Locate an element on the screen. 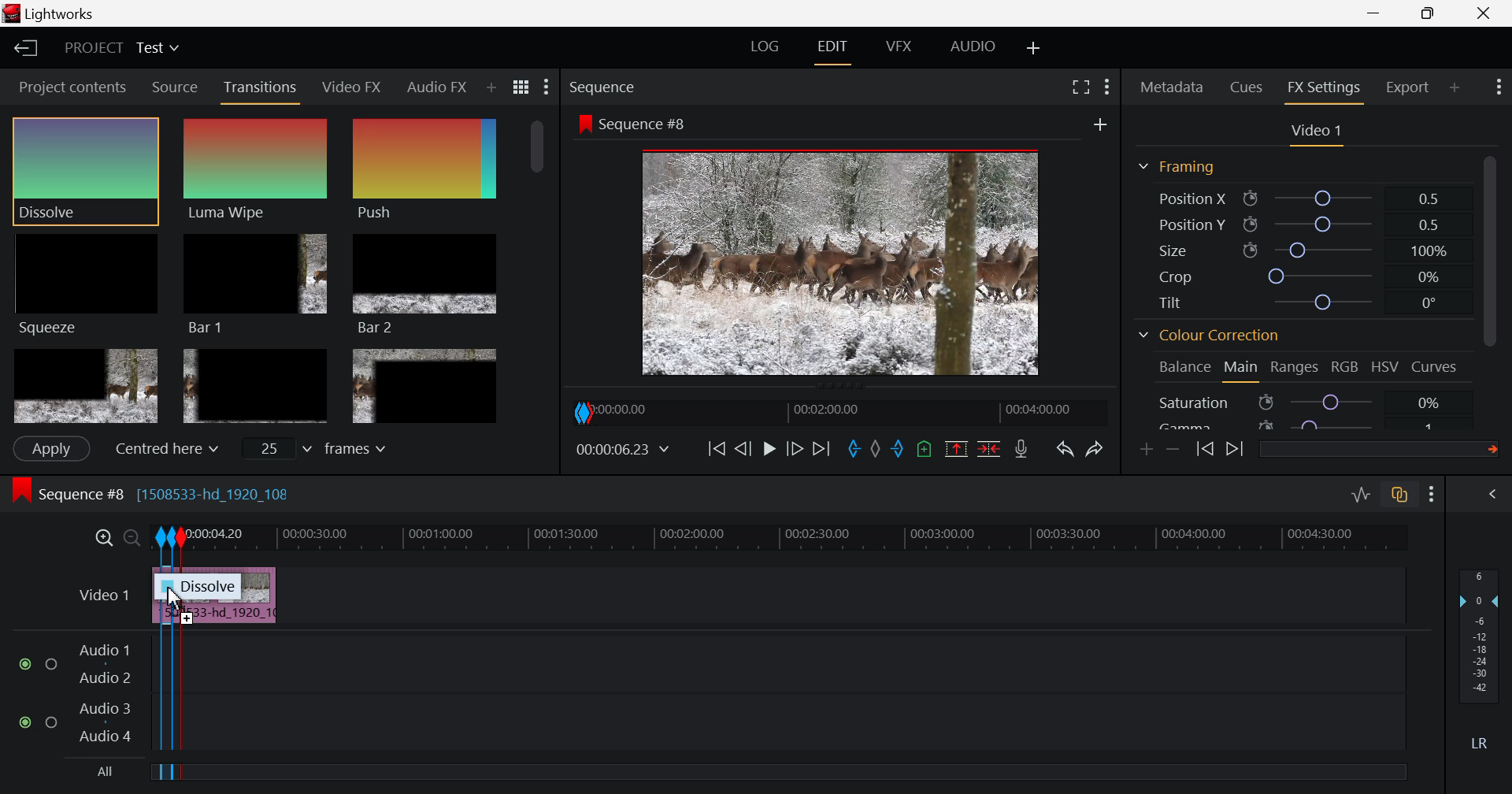 The width and height of the screenshot is (1512, 794). Timeline Zoom Out is located at coordinates (132, 540).